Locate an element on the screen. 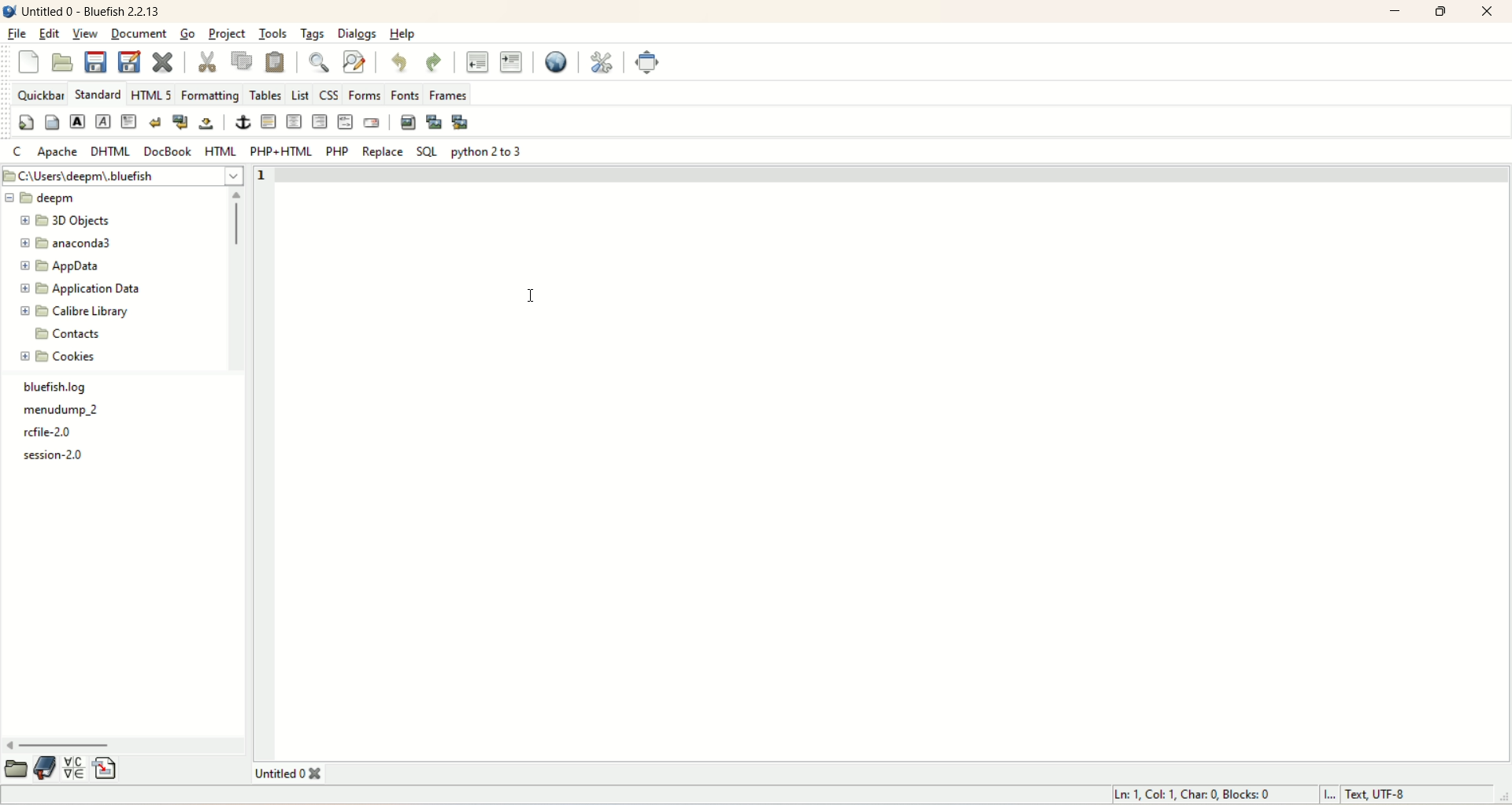 The image size is (1512, 805). text is located at coordinates (55, 421).